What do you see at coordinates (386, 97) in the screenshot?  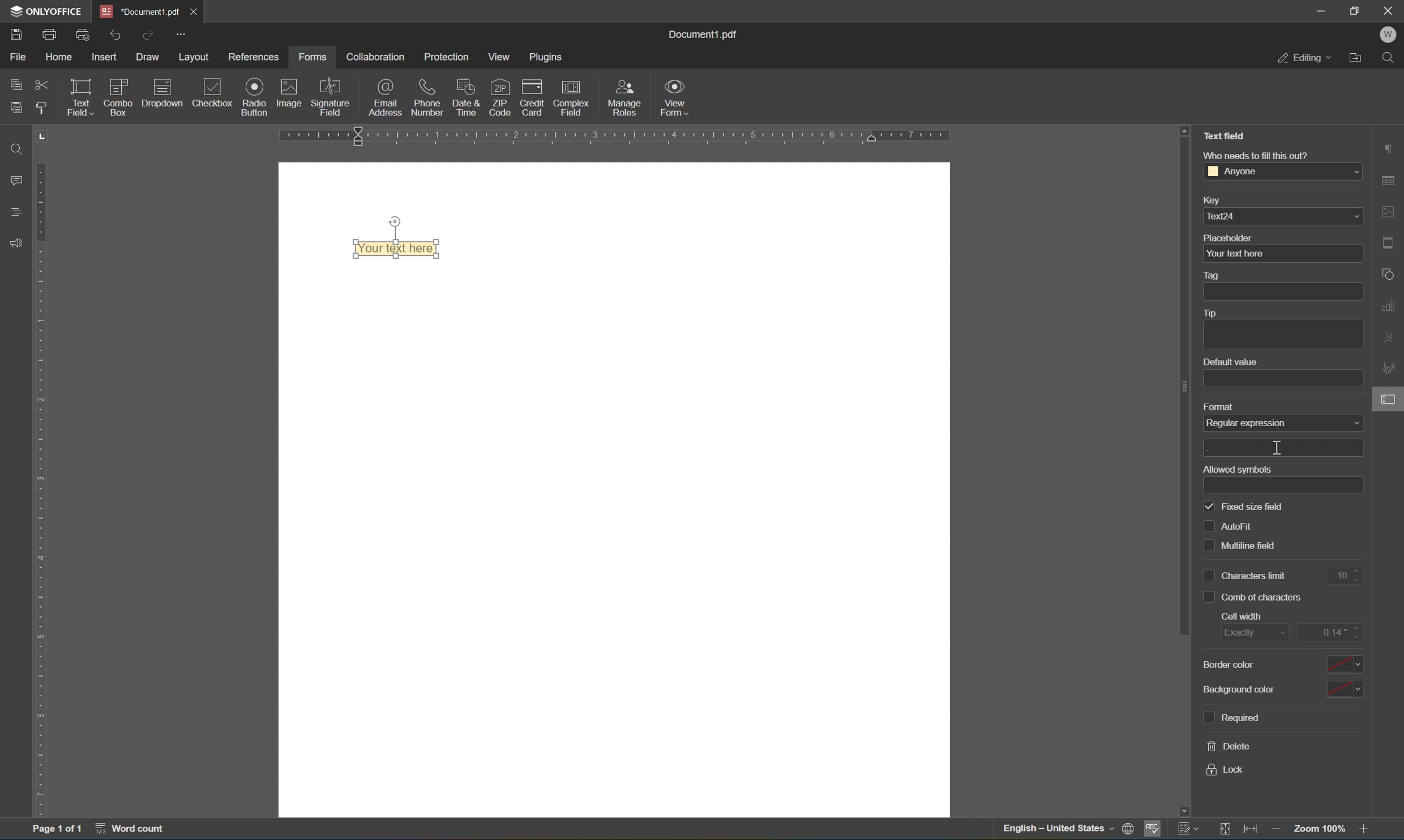 I see `email address` at bounding box center [386, 97].